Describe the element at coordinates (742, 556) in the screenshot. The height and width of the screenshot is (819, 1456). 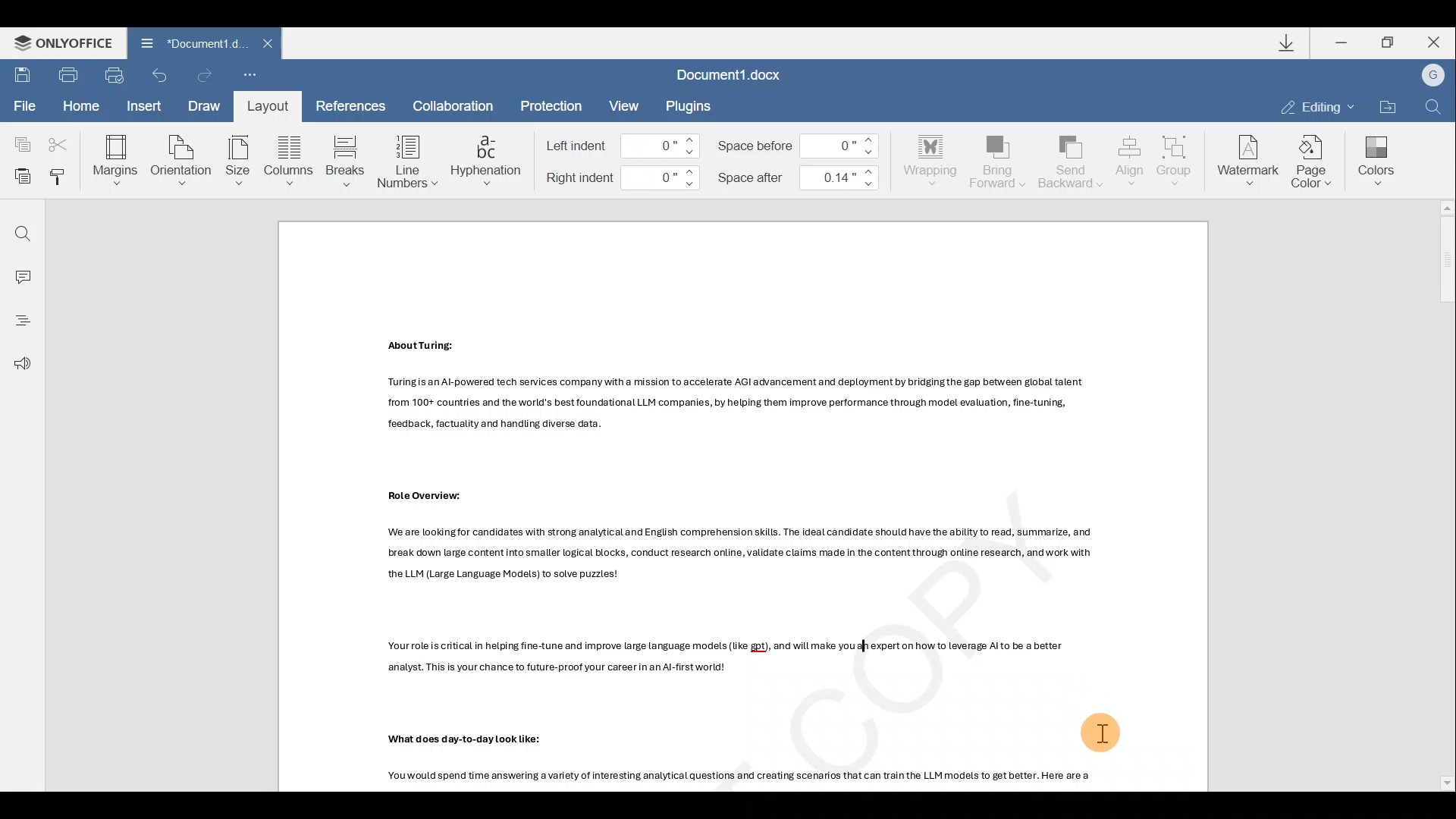
I see `` at that location.